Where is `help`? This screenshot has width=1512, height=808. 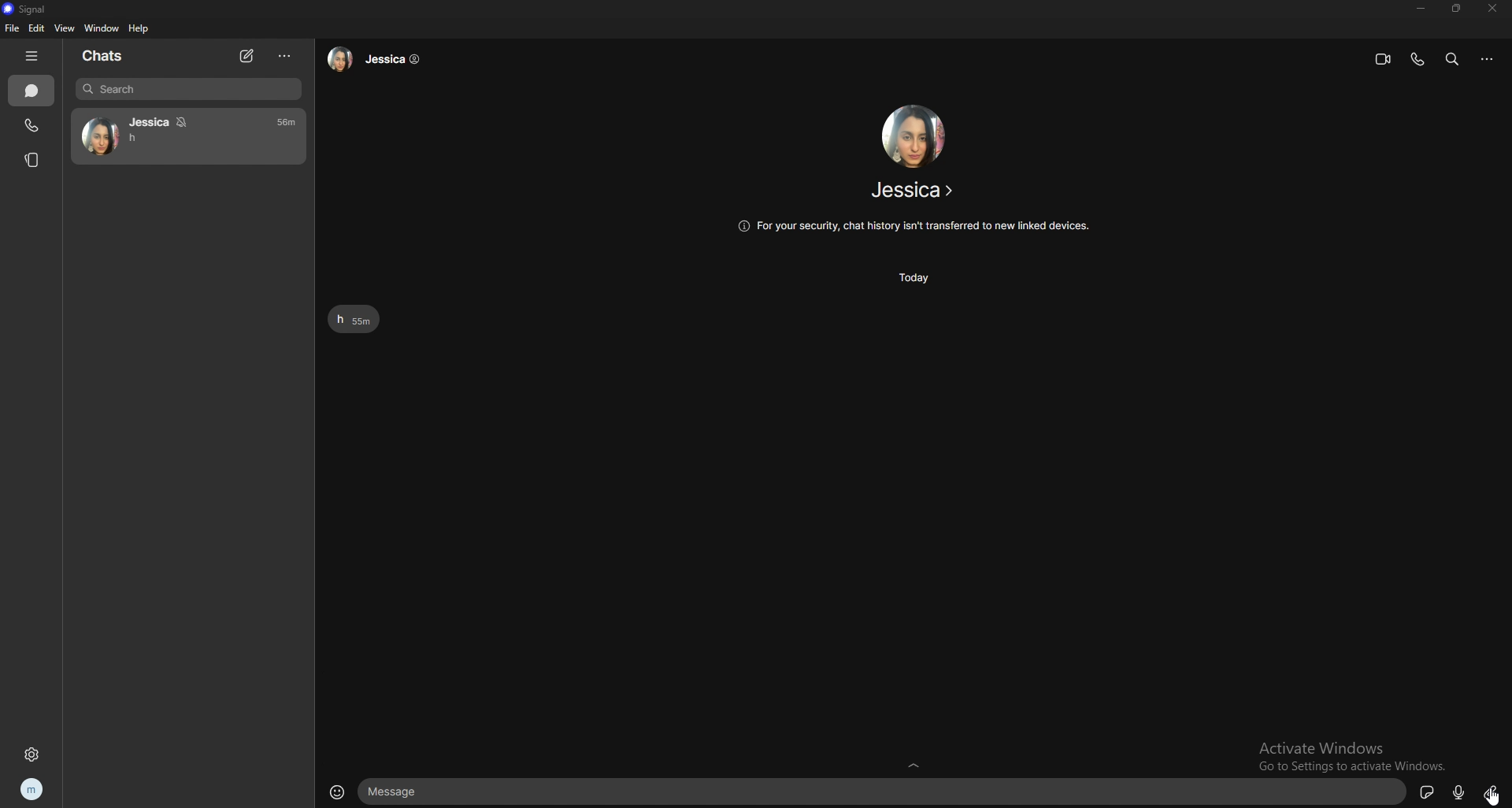 help is located at coordinates (138, 28).